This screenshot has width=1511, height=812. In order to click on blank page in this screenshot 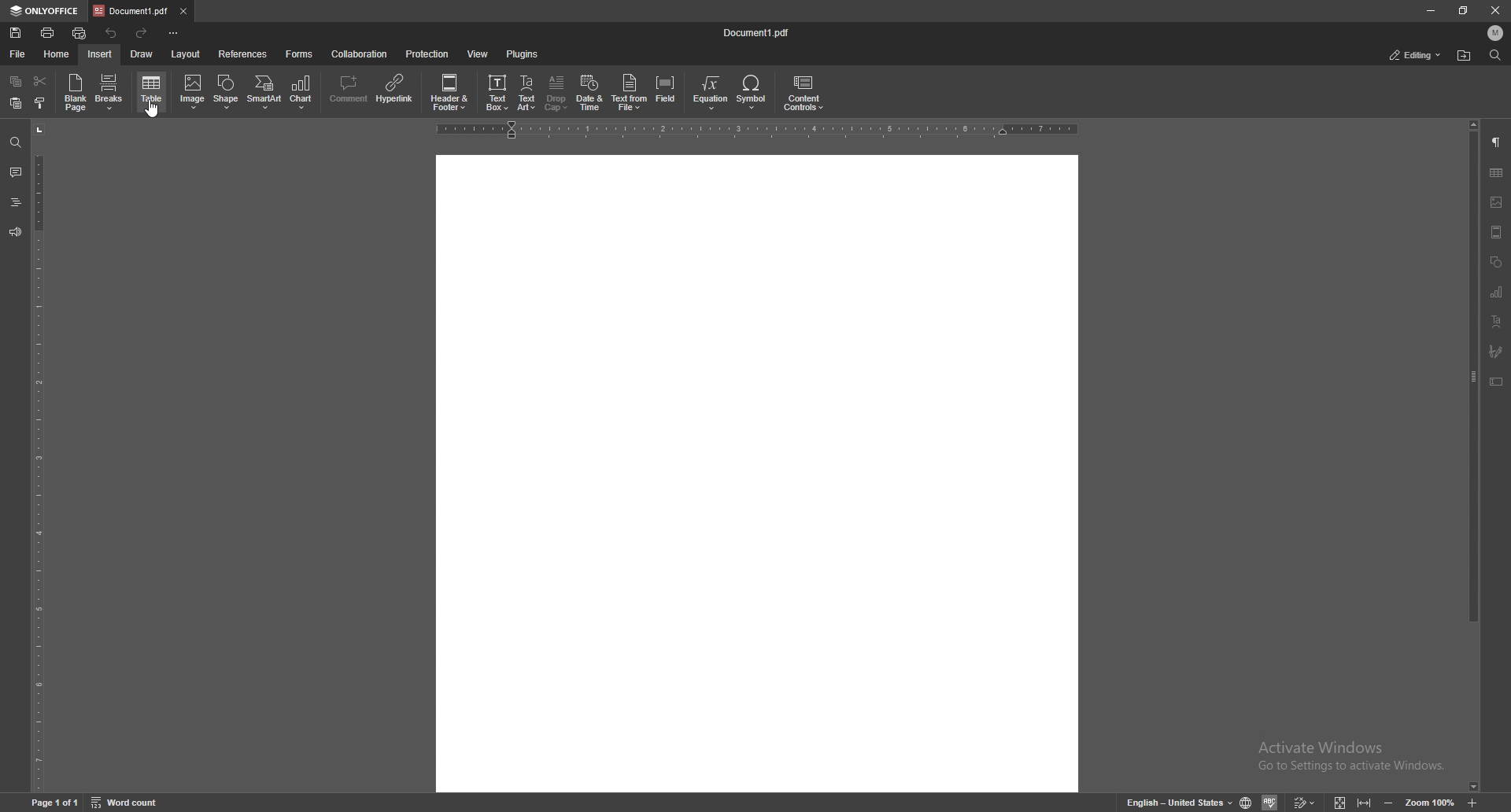, I will do `click(76, 94)`.